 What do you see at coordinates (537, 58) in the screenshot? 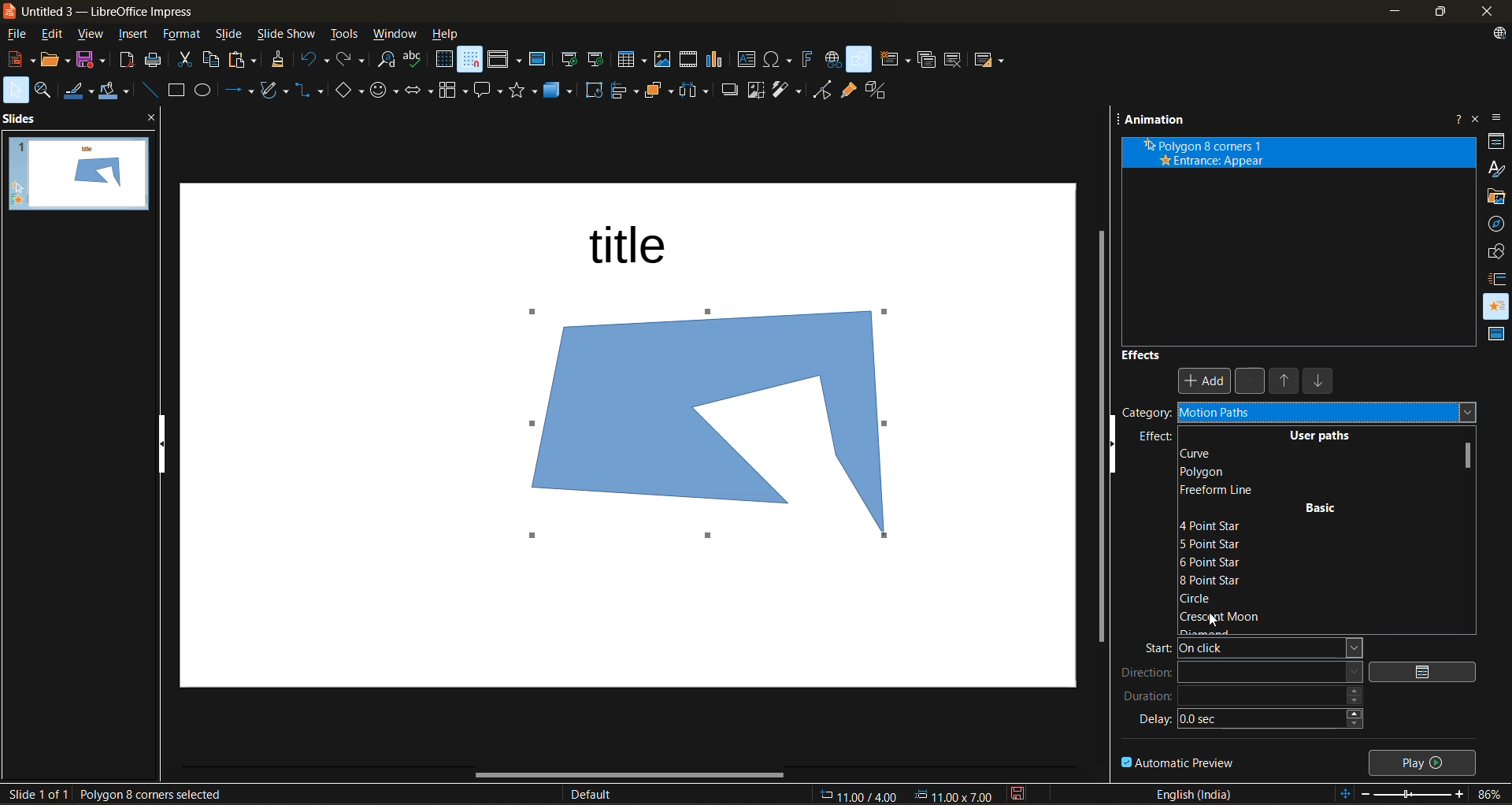
I see `master slide` at bounding box center [537, 58].